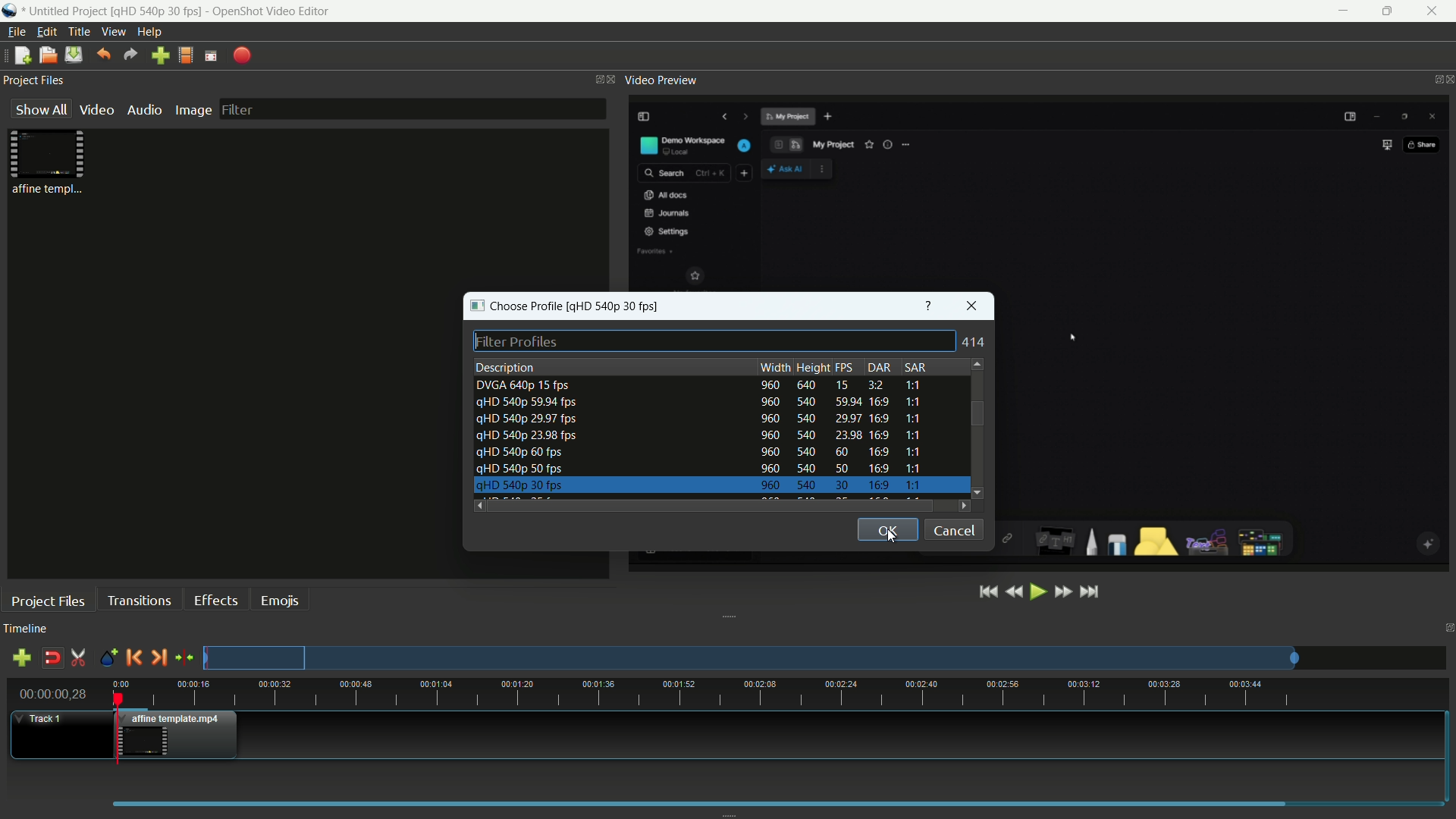 The image size is (1456, 819). What do you see at coordinates (1447, 629) in the screenshot?
I see `close timeline` at bounding box center [1447, 629].